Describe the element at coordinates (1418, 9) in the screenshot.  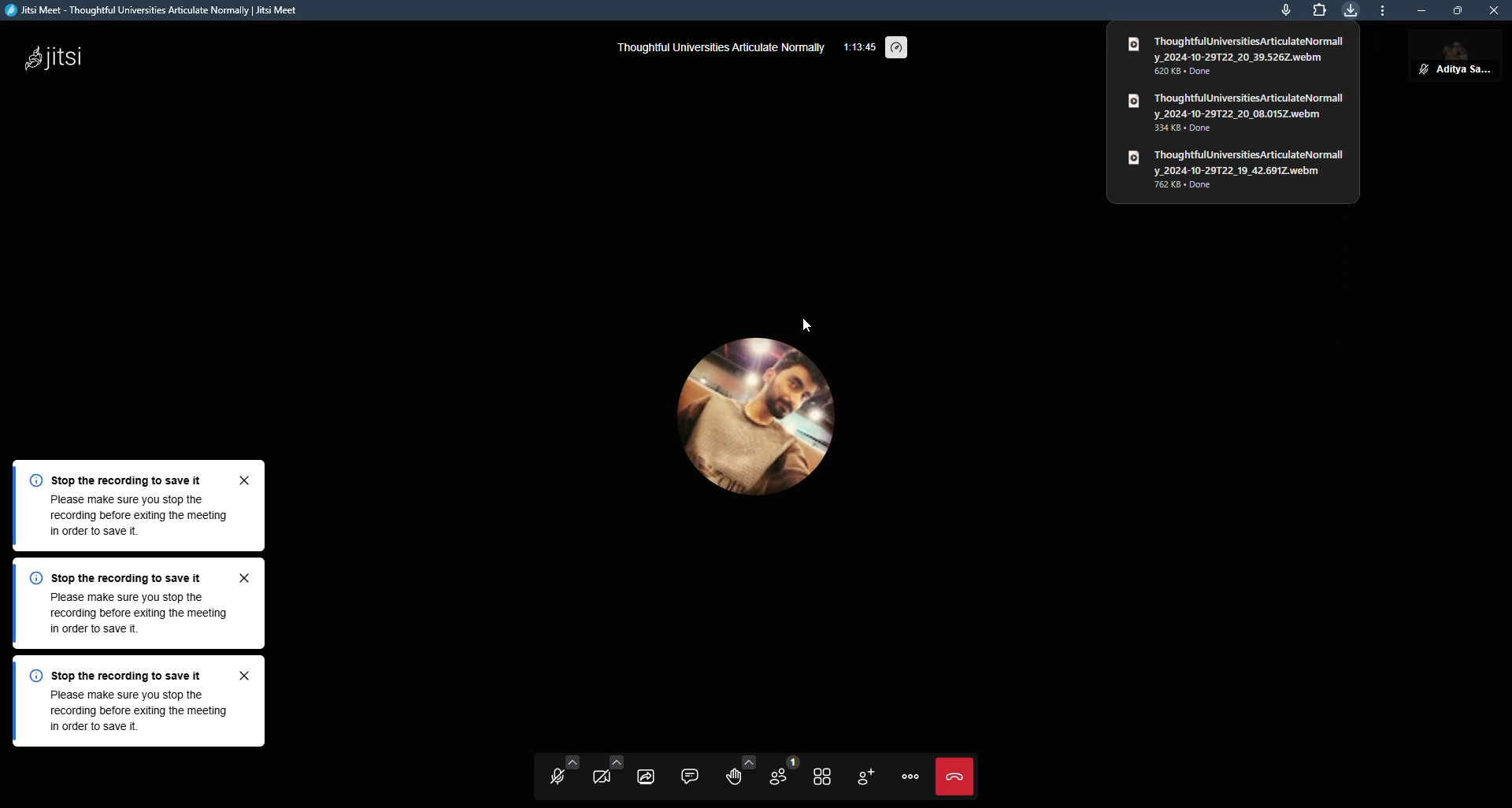
I see `minimize` at that location.